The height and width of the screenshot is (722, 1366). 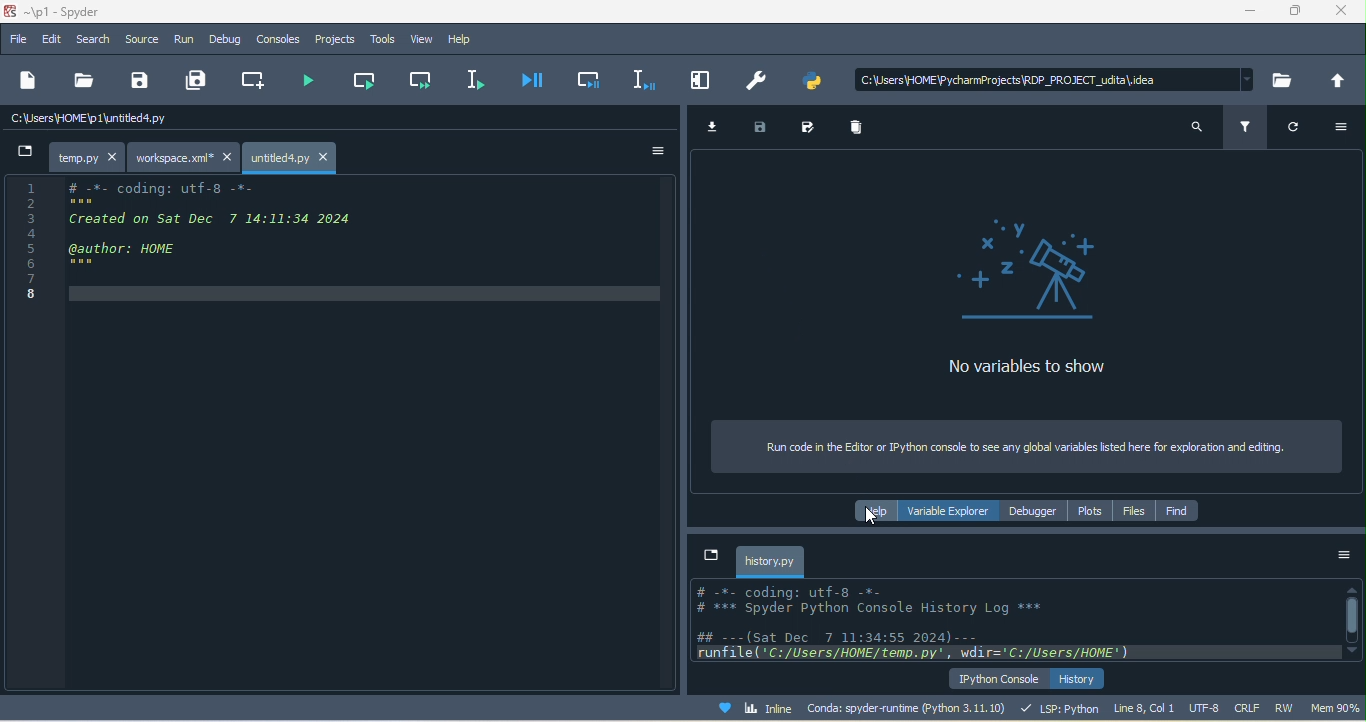 I want to click on c\users\home, so click(x=202, y=119).